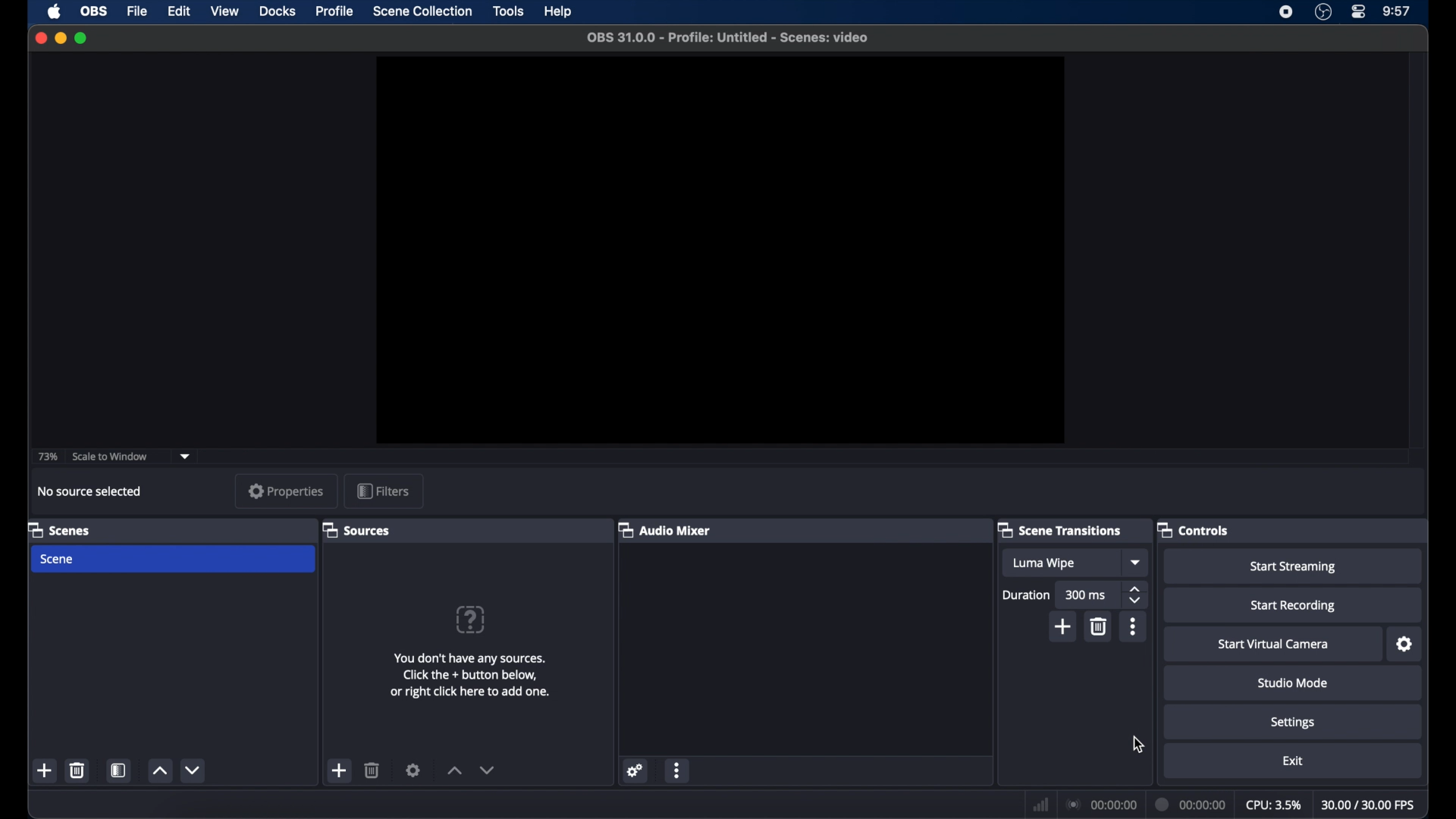 The height and width of the screenshot is (819, 1456). I want to click on stepper buttons, so click(1136, 596).